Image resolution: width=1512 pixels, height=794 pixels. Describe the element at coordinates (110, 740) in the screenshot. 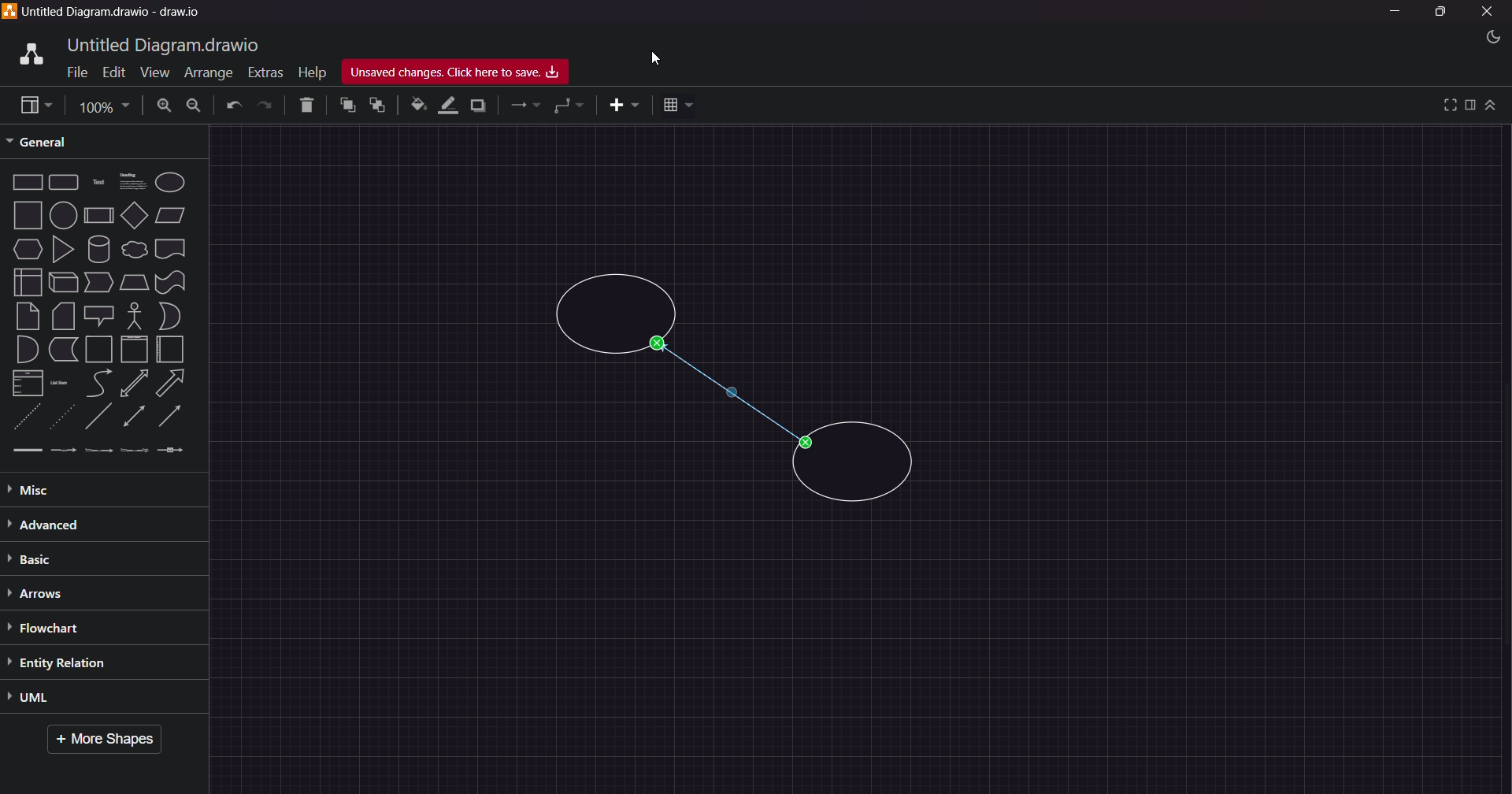

I see `More Shapes` at that location.